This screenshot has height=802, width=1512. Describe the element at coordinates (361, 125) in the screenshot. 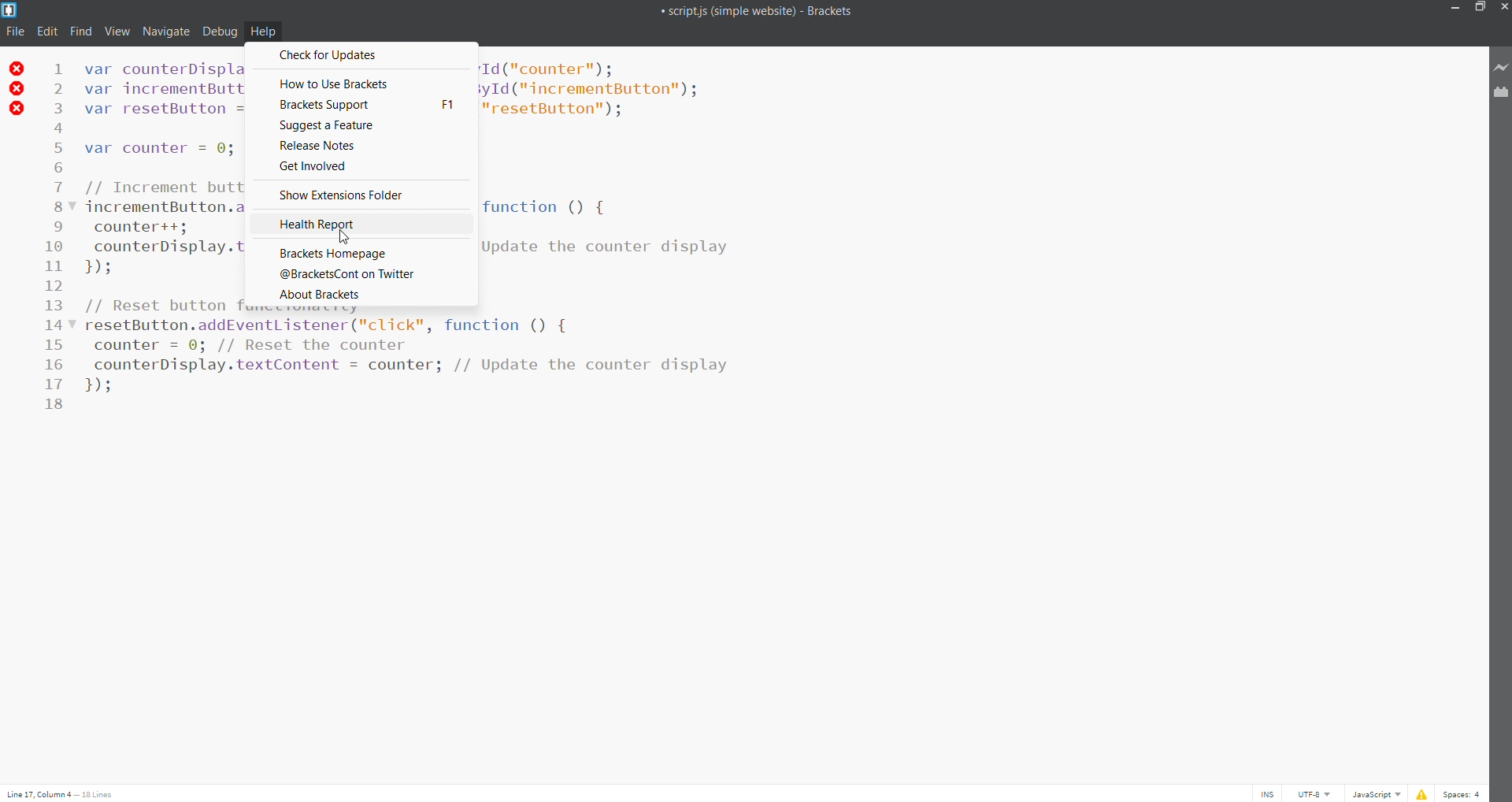

I see `sugget a feature` at that location.